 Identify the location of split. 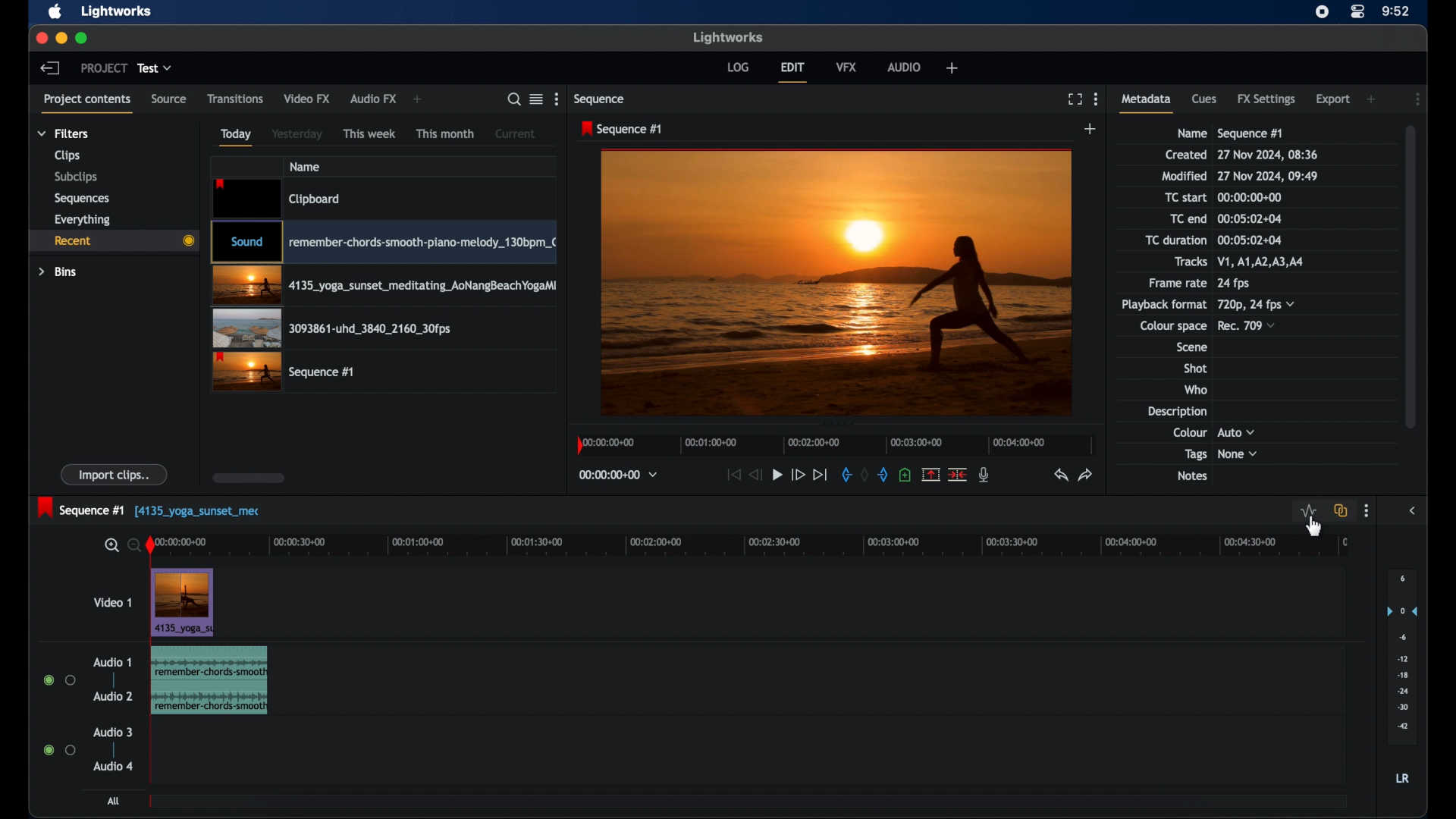
(957, 473).